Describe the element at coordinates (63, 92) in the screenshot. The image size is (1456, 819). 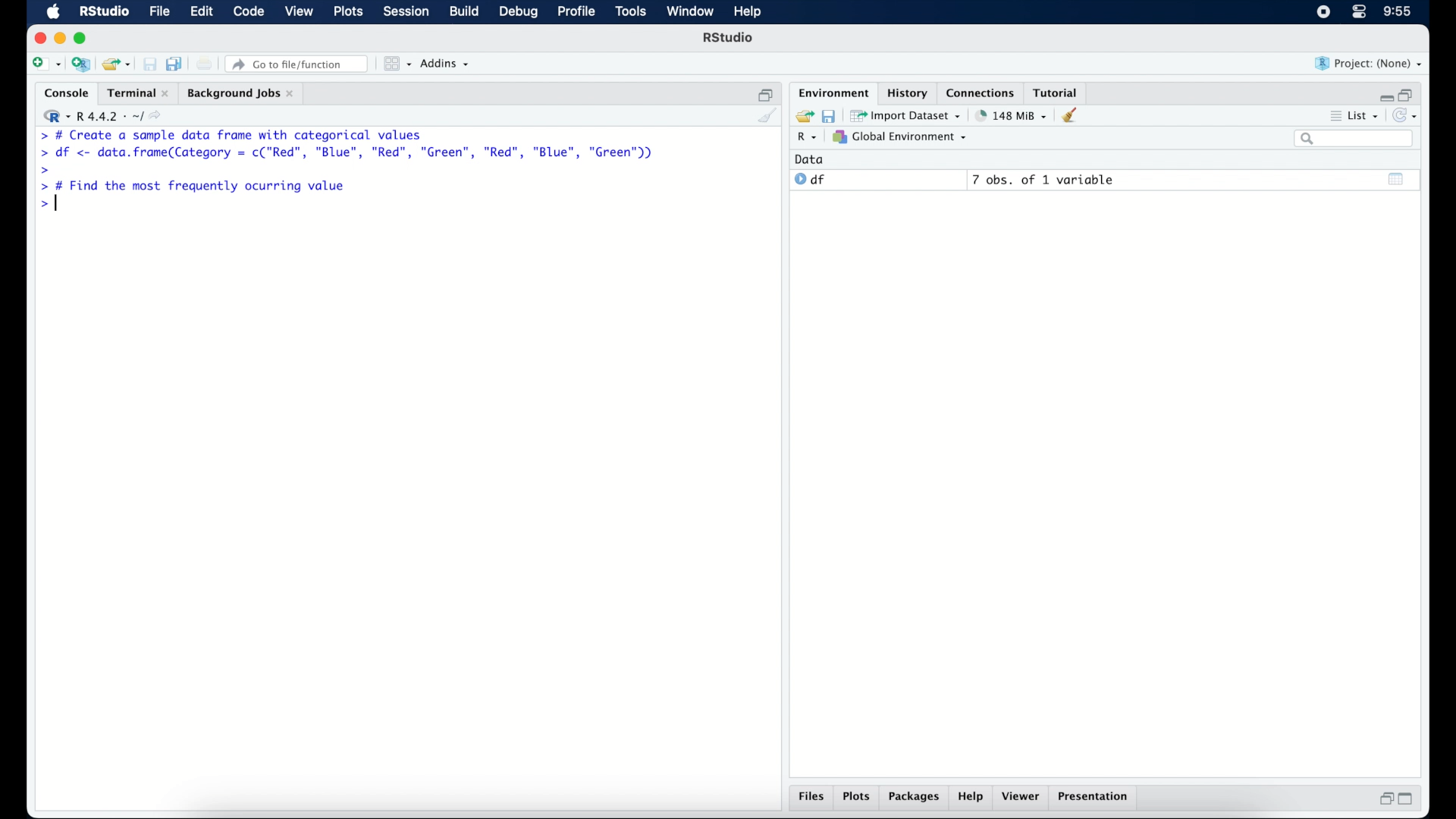
I see `console` at that location.